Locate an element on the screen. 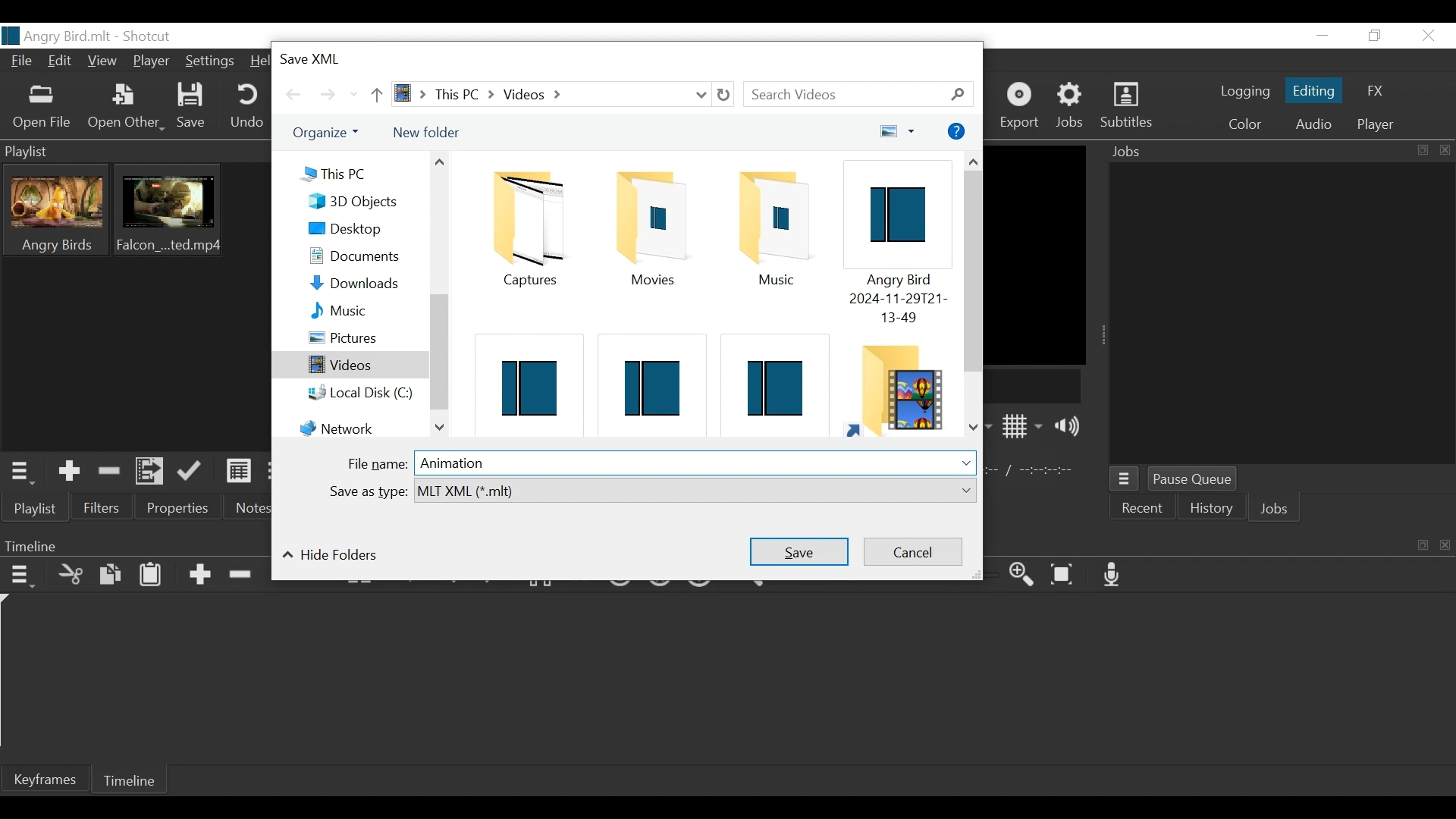 The width and height of the screenshot is (1456, 819). Color is located at coordinates (1244, 124).